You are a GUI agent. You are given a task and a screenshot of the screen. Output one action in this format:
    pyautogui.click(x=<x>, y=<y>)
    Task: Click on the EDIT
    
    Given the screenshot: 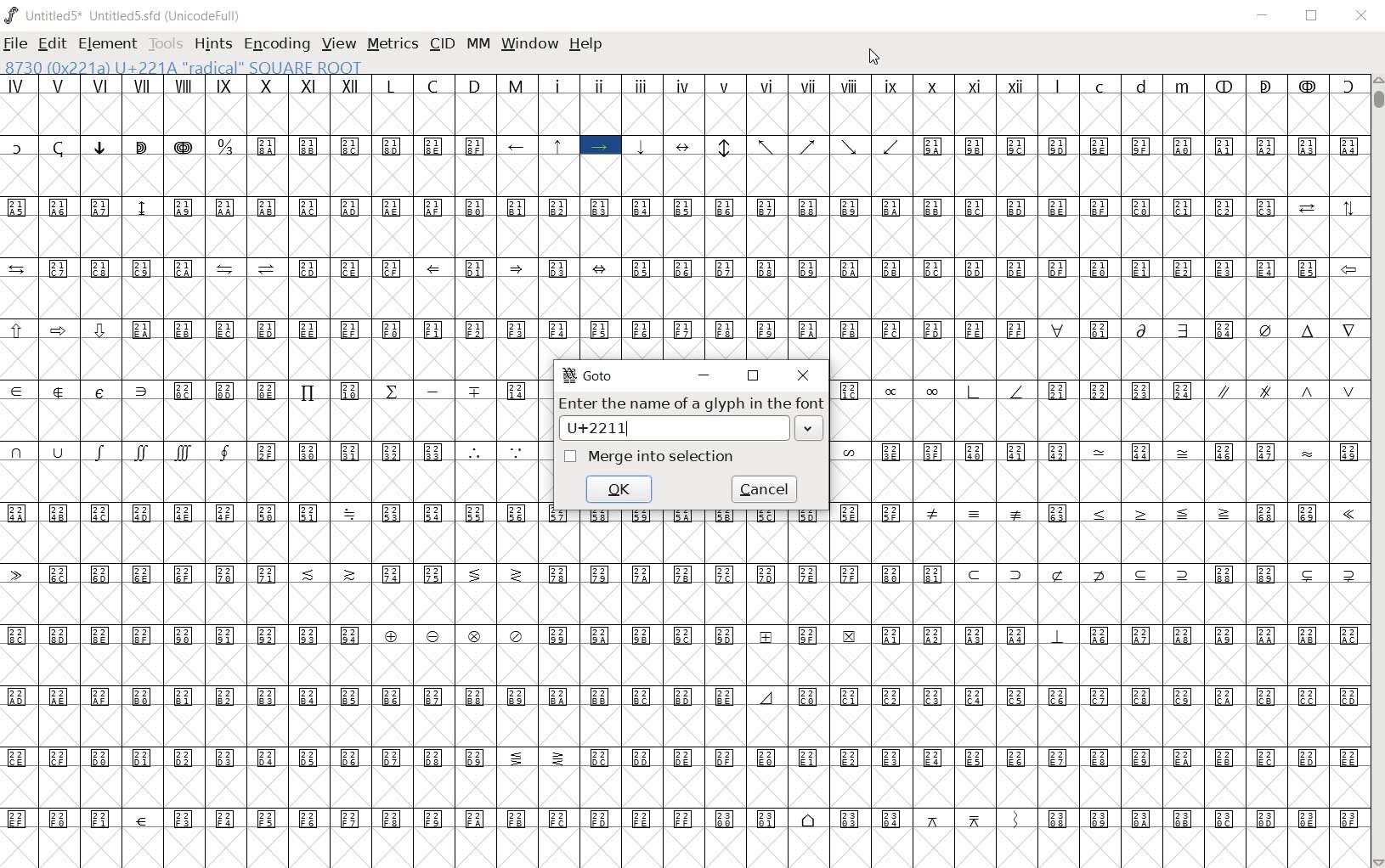 What is the action you would take?
    pyautogui.click(x=51, y=45)
    